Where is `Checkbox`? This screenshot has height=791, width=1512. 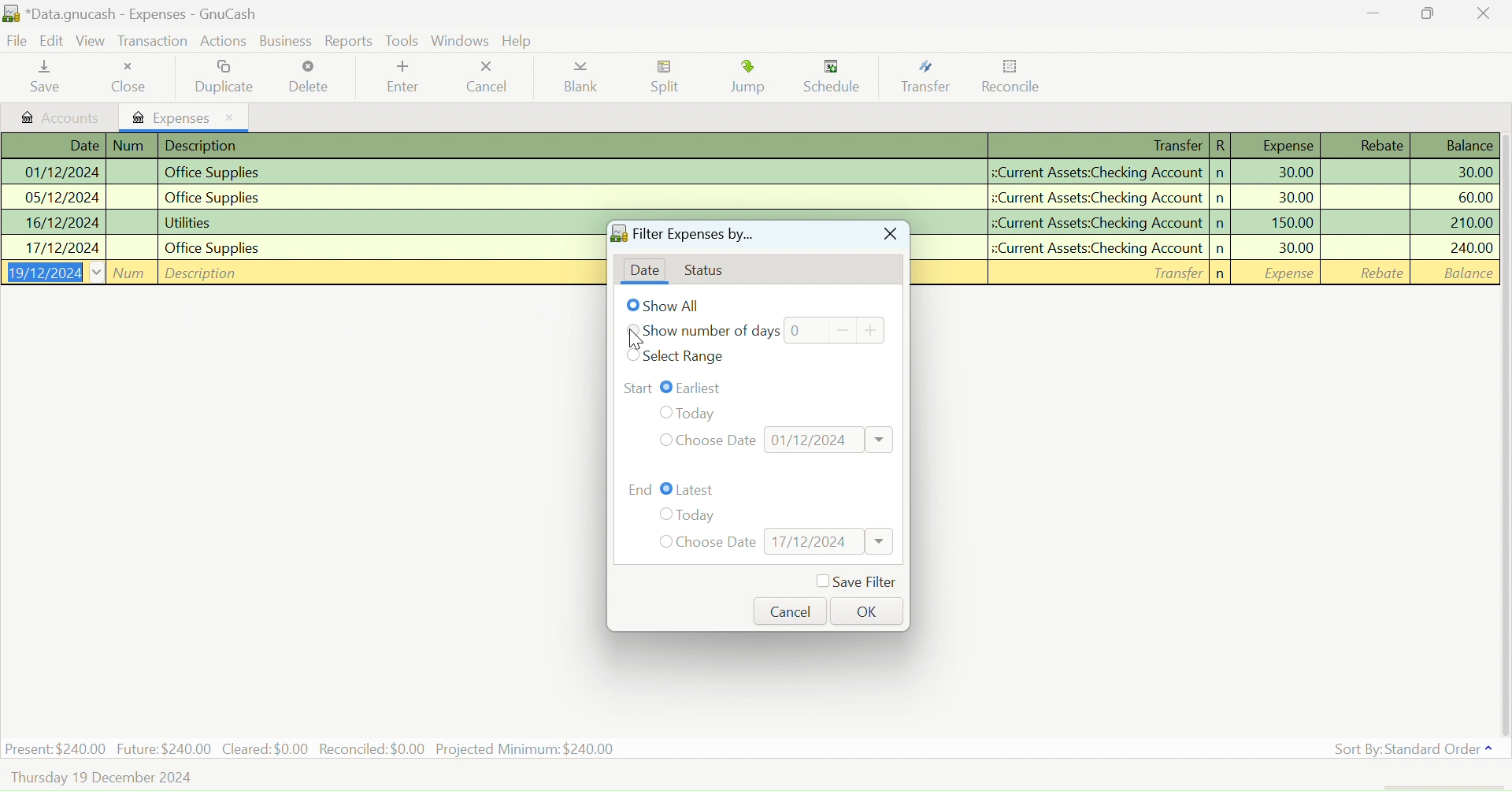
Checkbox is located at coordinates (633, 329).